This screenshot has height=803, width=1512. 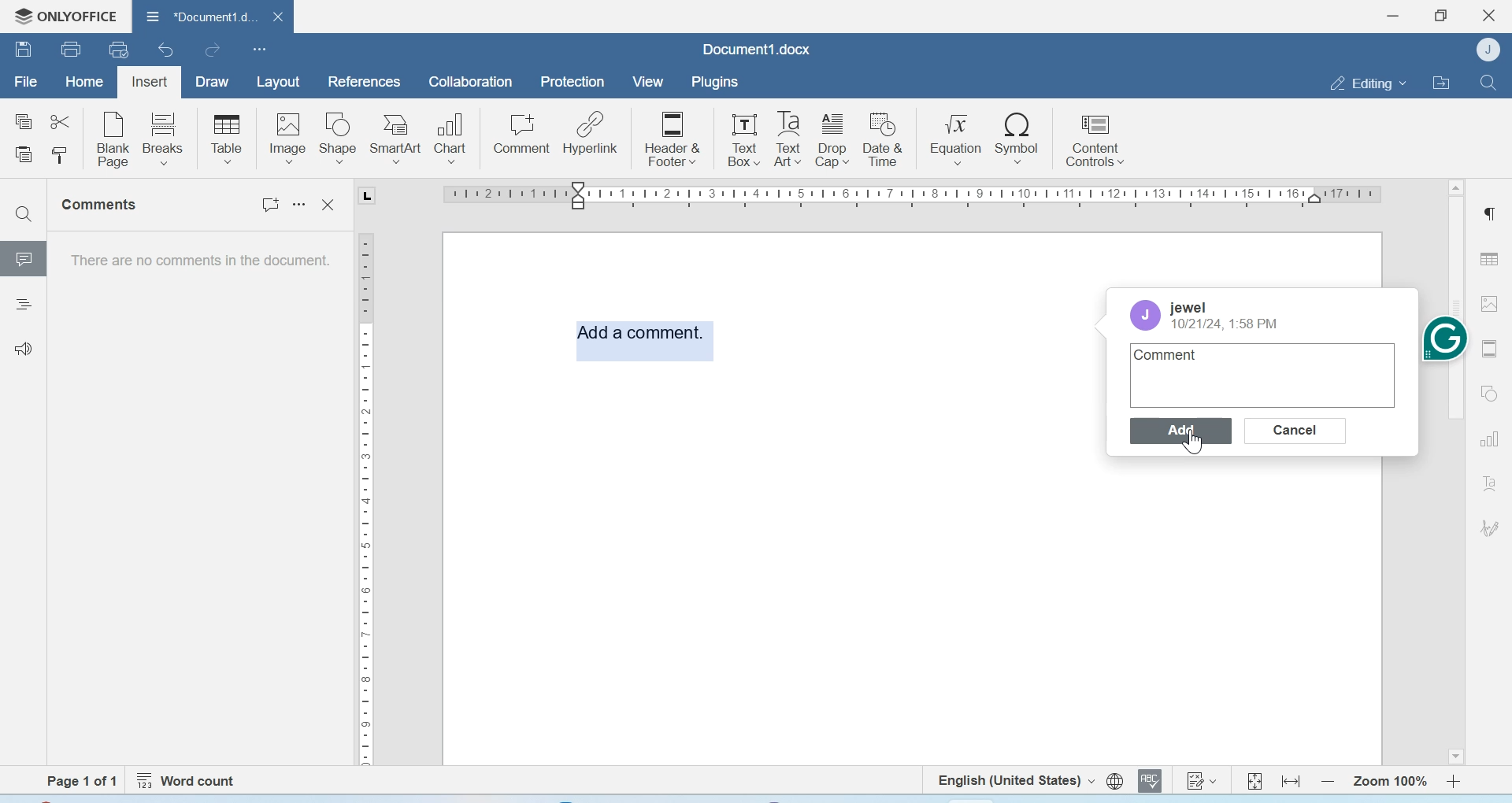 What do you see at coordinates (642, 342) in the screenshot?
I see `Add a comment` at bounding box center [642, 342].